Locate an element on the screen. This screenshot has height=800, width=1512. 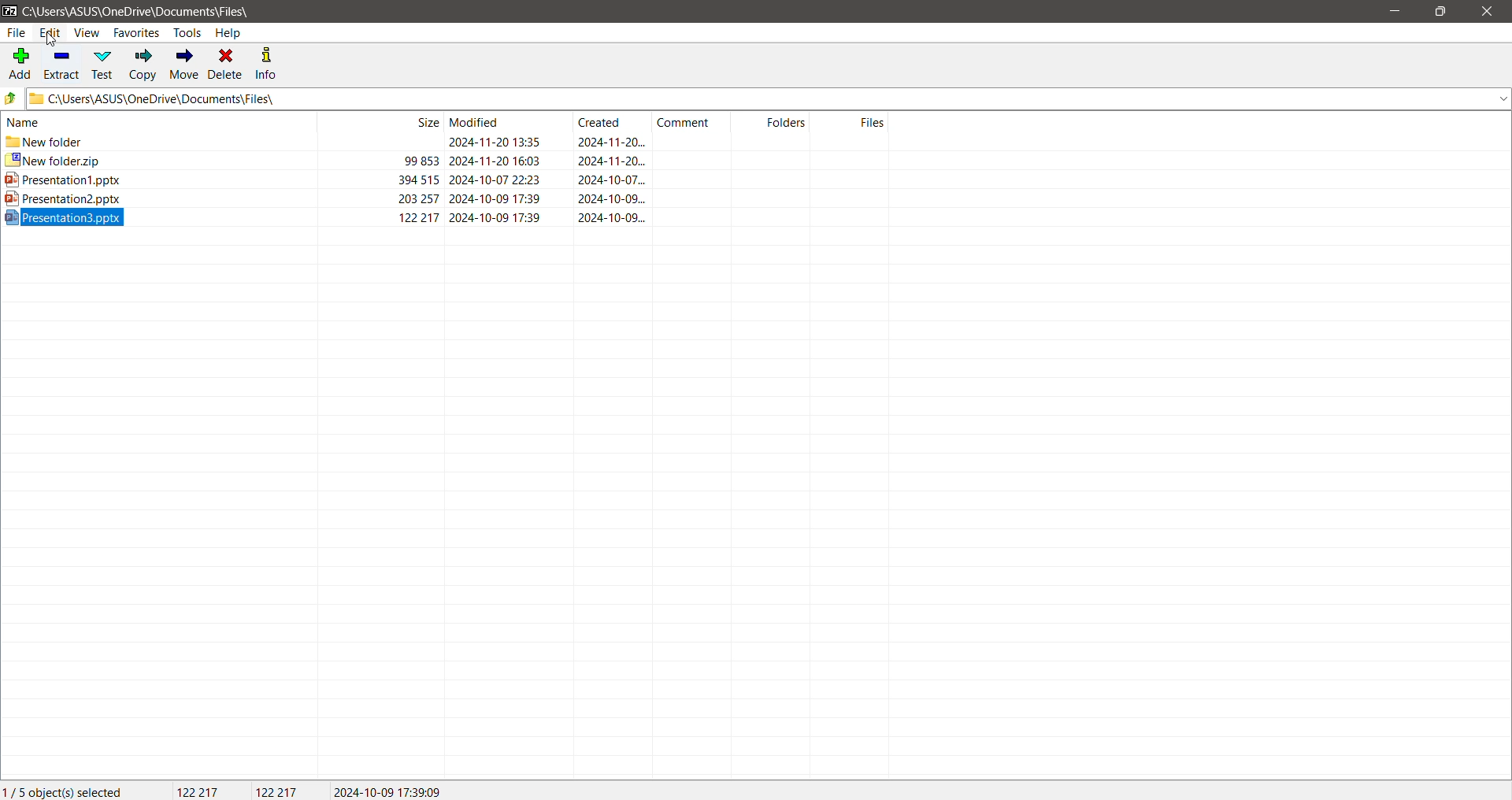
new folder is located at coordinates (447, 143).